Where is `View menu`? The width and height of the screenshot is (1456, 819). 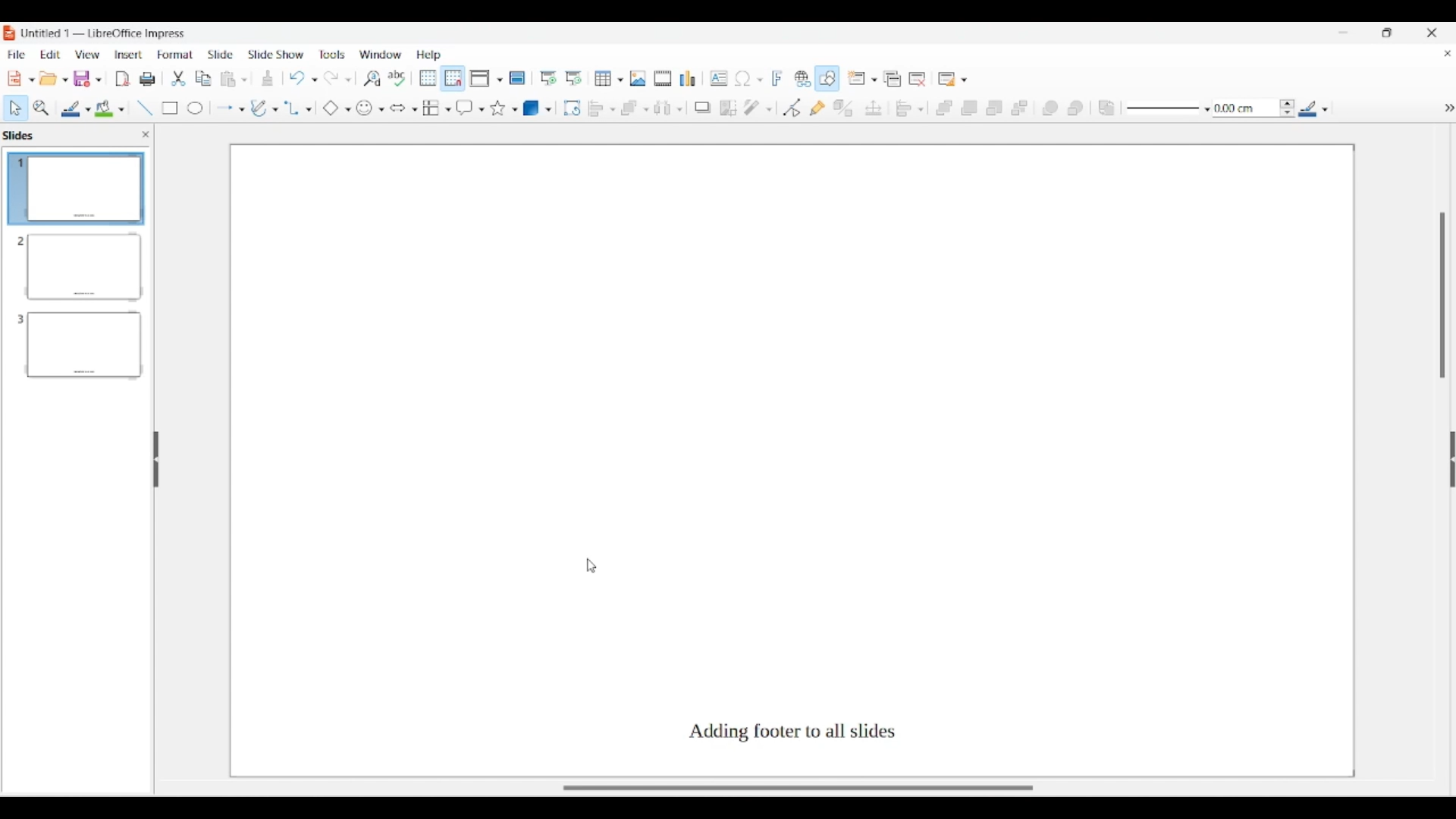 View menu is located at coordinates (88, 55).